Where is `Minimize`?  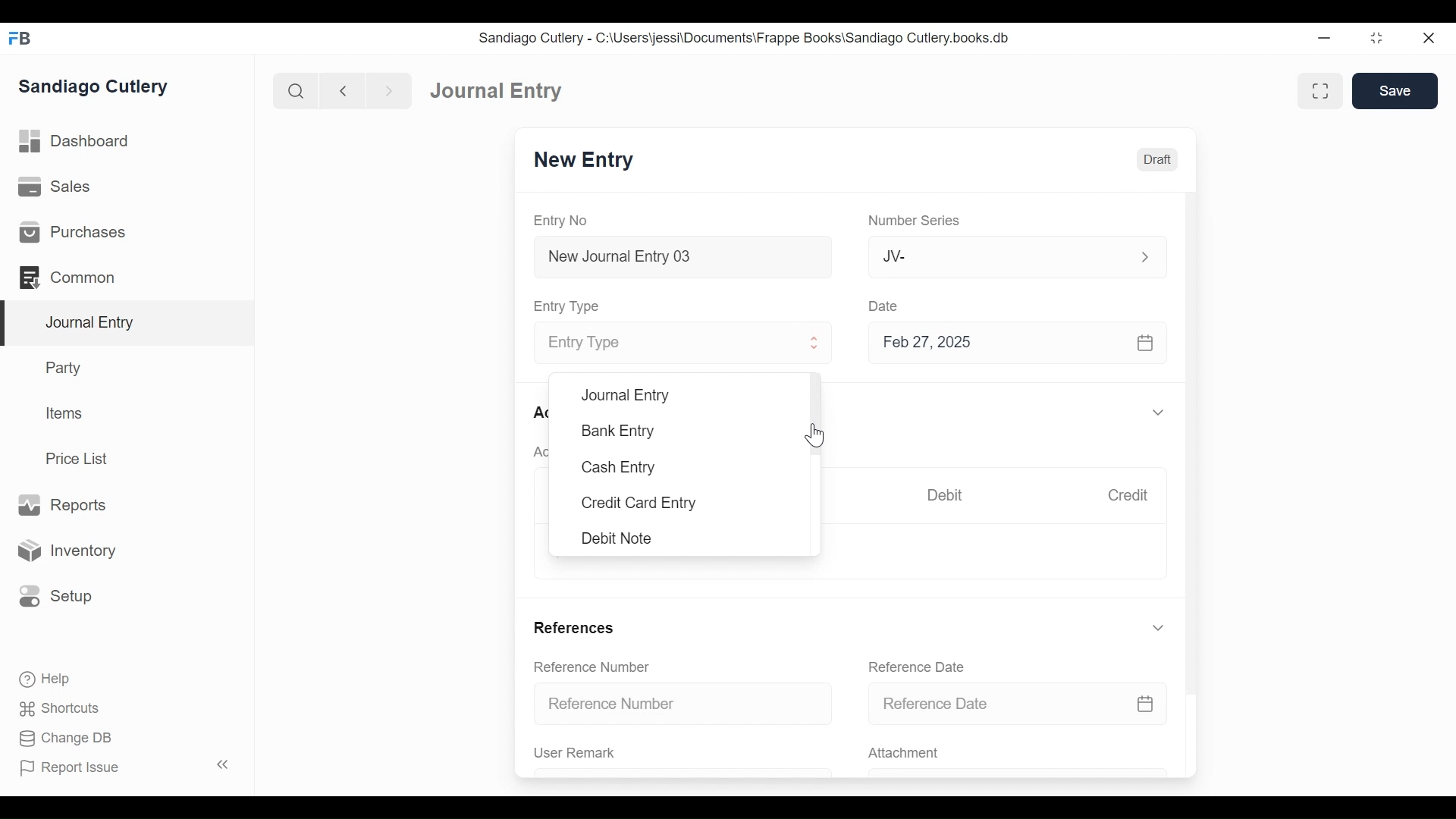 Minimize is located at coordinates (1326, 37).